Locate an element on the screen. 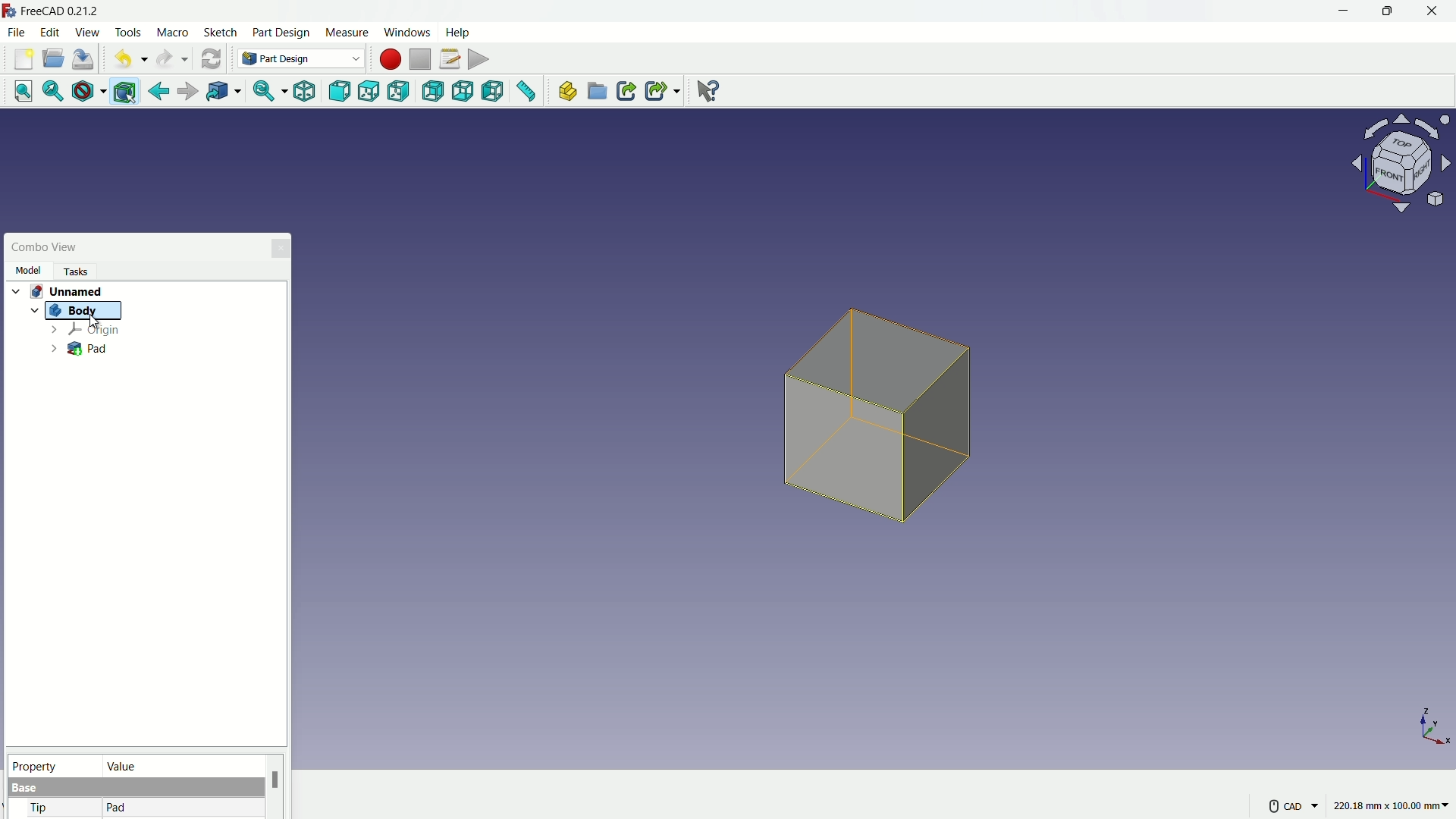  make link is located at coordinates (626, 93).